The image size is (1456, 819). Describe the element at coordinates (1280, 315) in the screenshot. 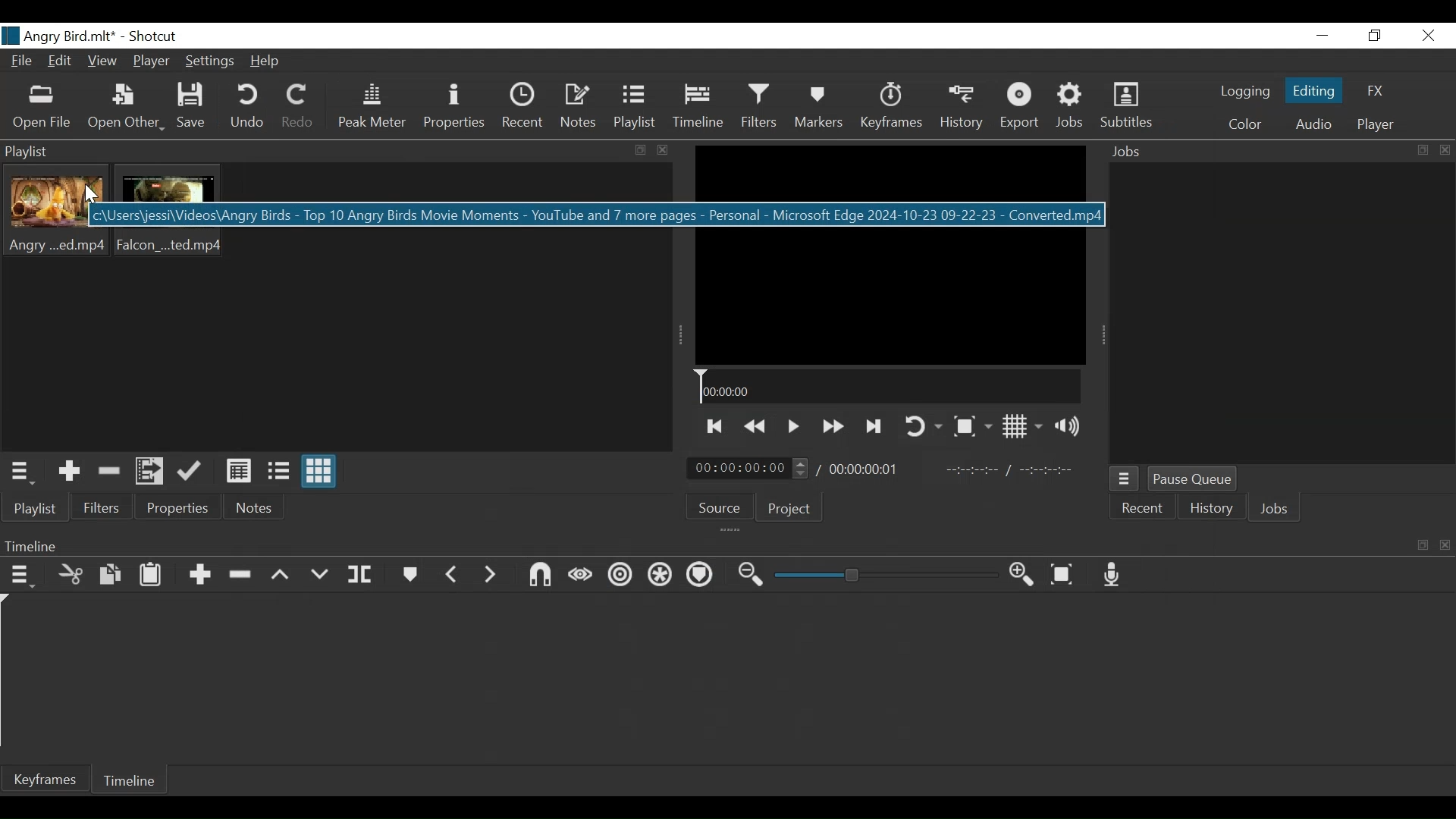

I see `Jobs Panel` at that location.